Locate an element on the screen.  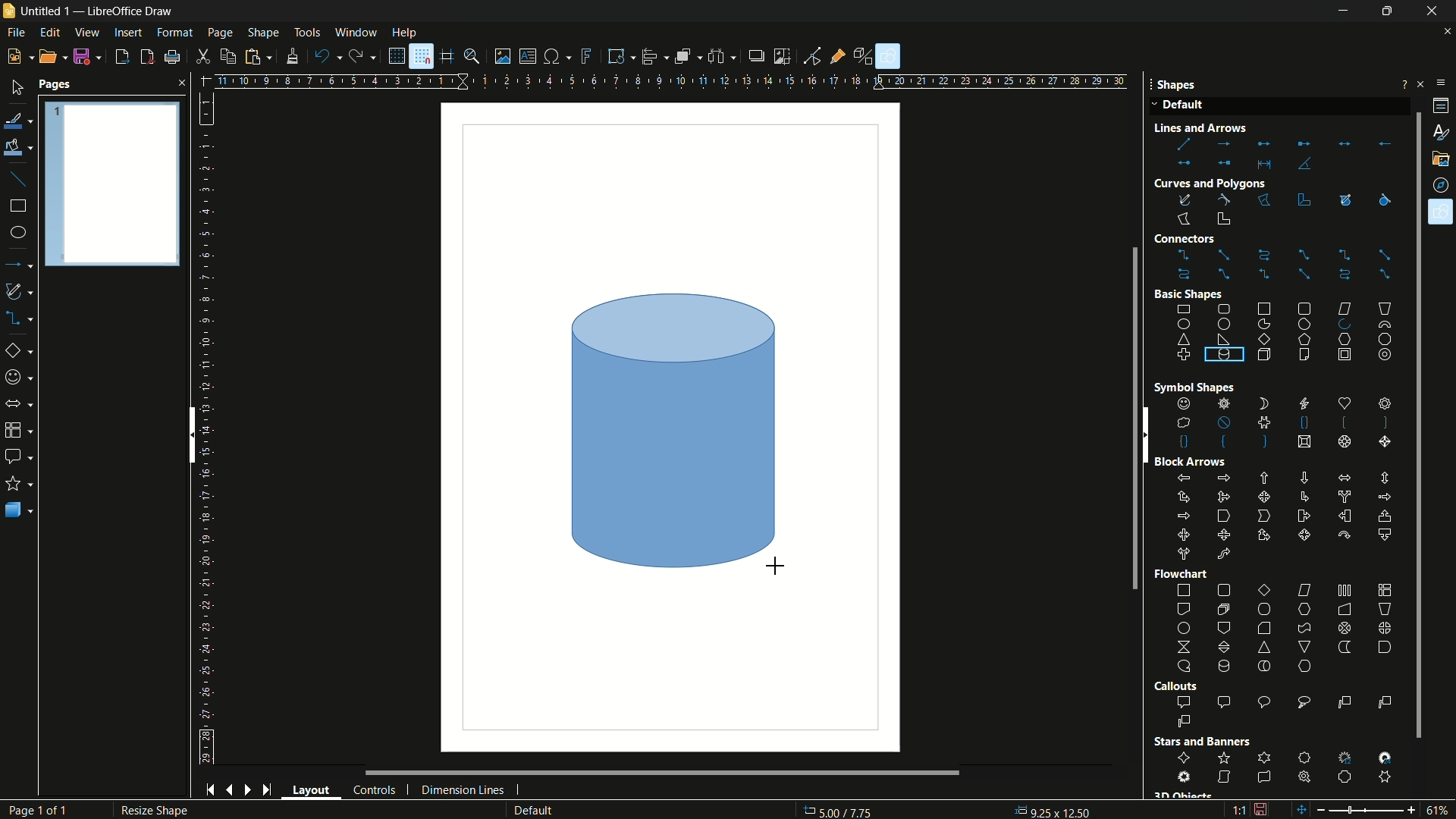
undo is located at coordinates (328, 57).